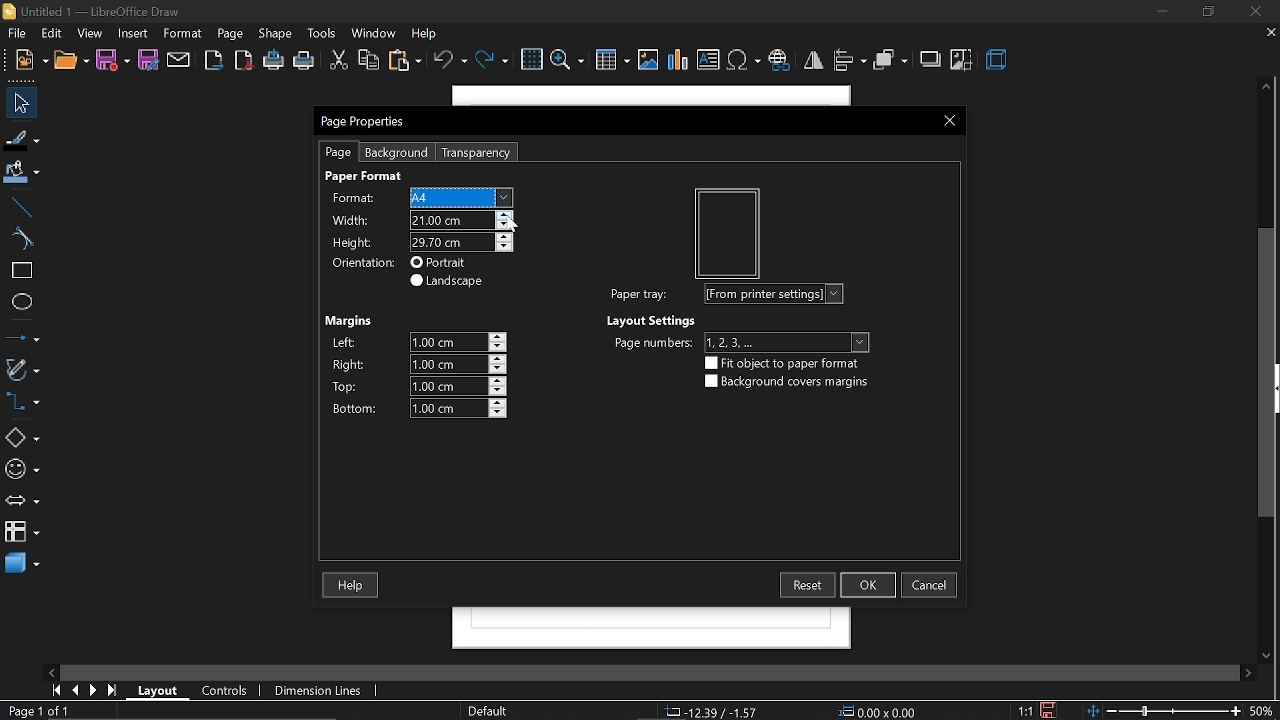  Describe the element at coordinates (50, 672) in the screenshot. I see `move left` at that location.